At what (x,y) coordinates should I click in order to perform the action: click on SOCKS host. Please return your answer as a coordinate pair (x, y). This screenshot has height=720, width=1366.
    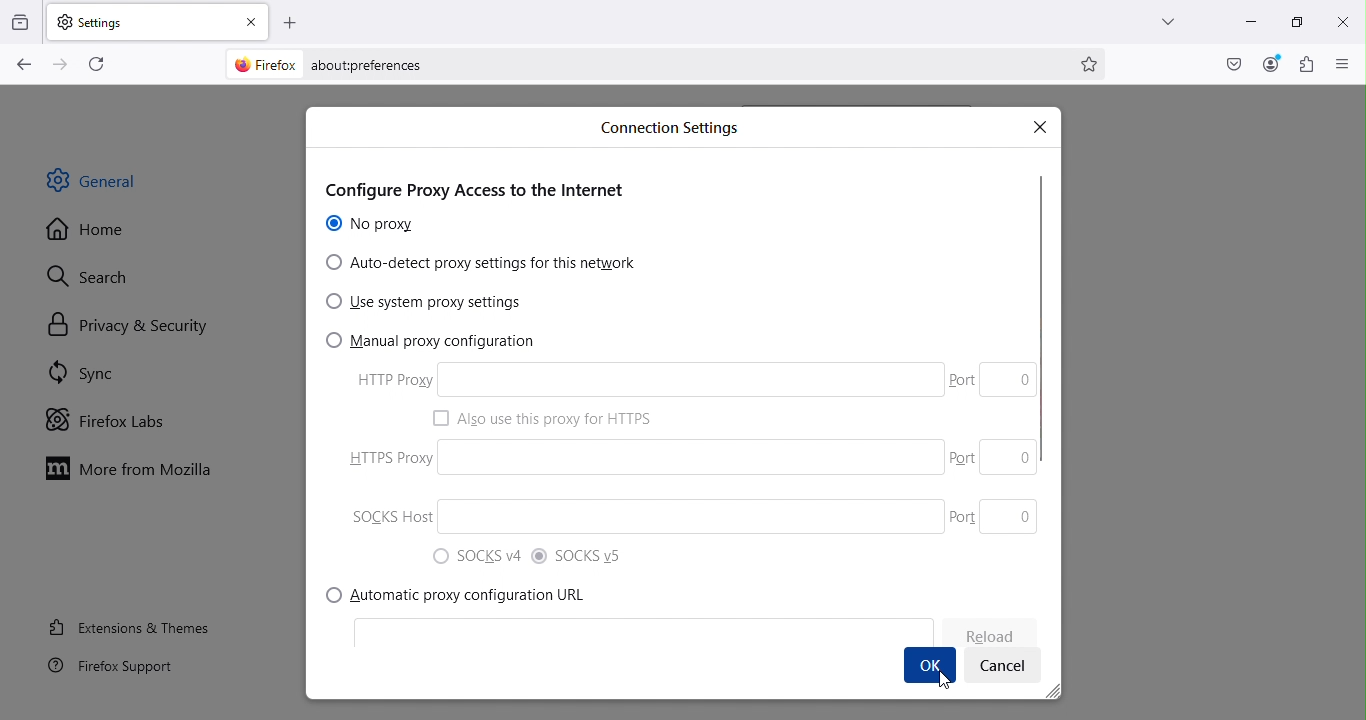
    Looking at the image, I should click on (690, 518).